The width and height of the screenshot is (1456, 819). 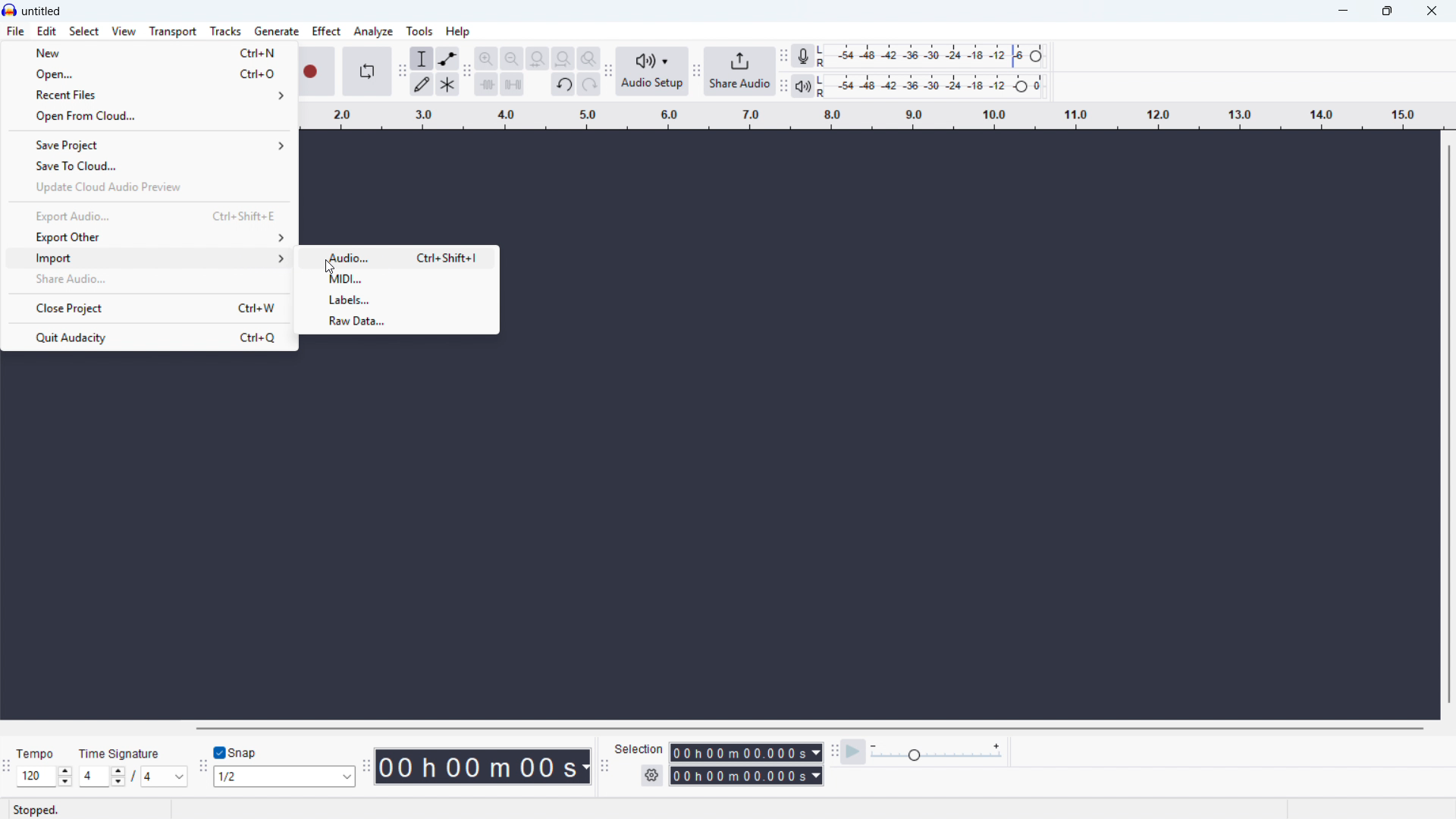 I want to click on Selection end time, so click(x=745, y=776).